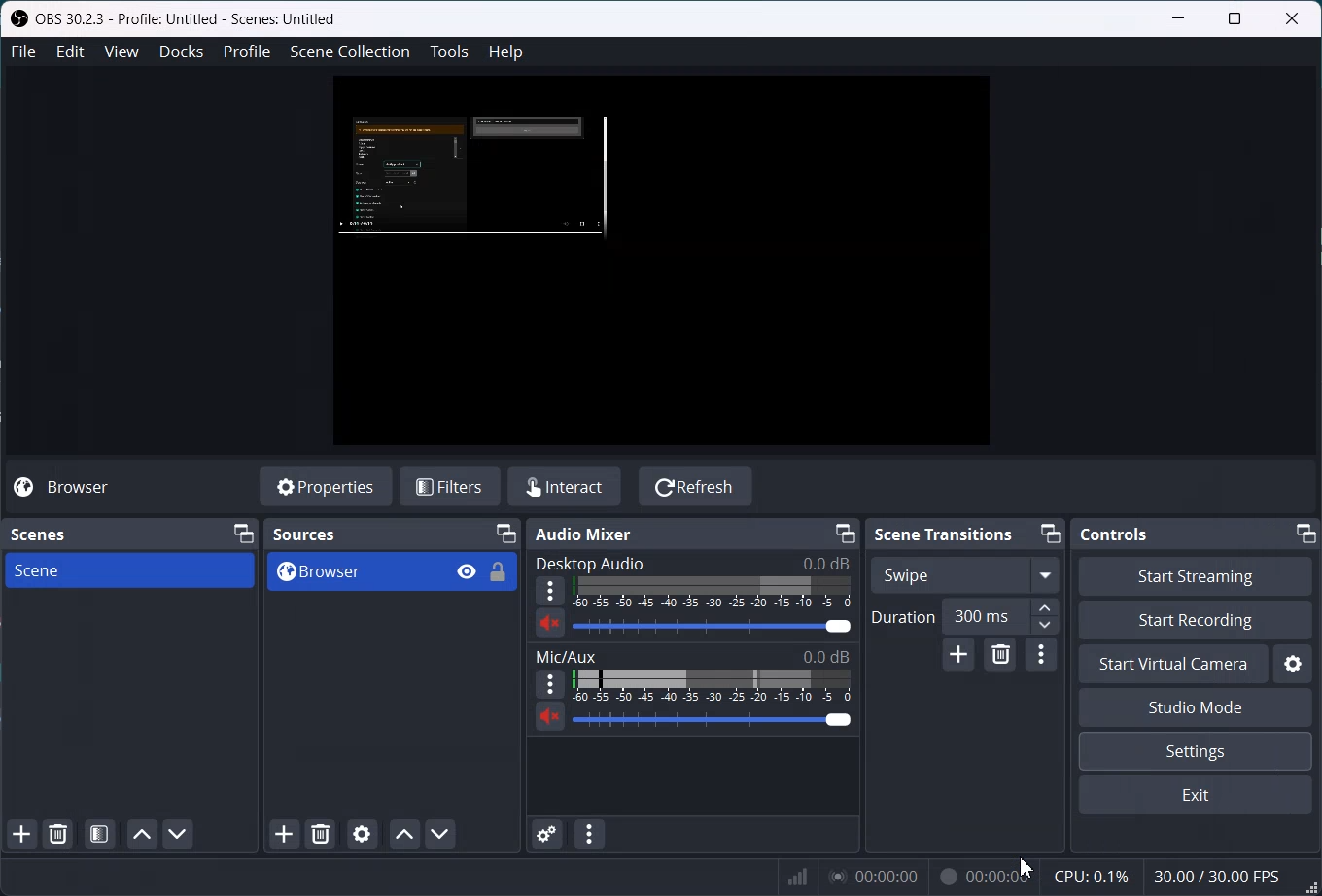 The width and height of the screenshot is (1322, 896). What do you see at coordinates (244, 533) in the screenshot?
I see `Minimize` at bounding box center [244, 533].